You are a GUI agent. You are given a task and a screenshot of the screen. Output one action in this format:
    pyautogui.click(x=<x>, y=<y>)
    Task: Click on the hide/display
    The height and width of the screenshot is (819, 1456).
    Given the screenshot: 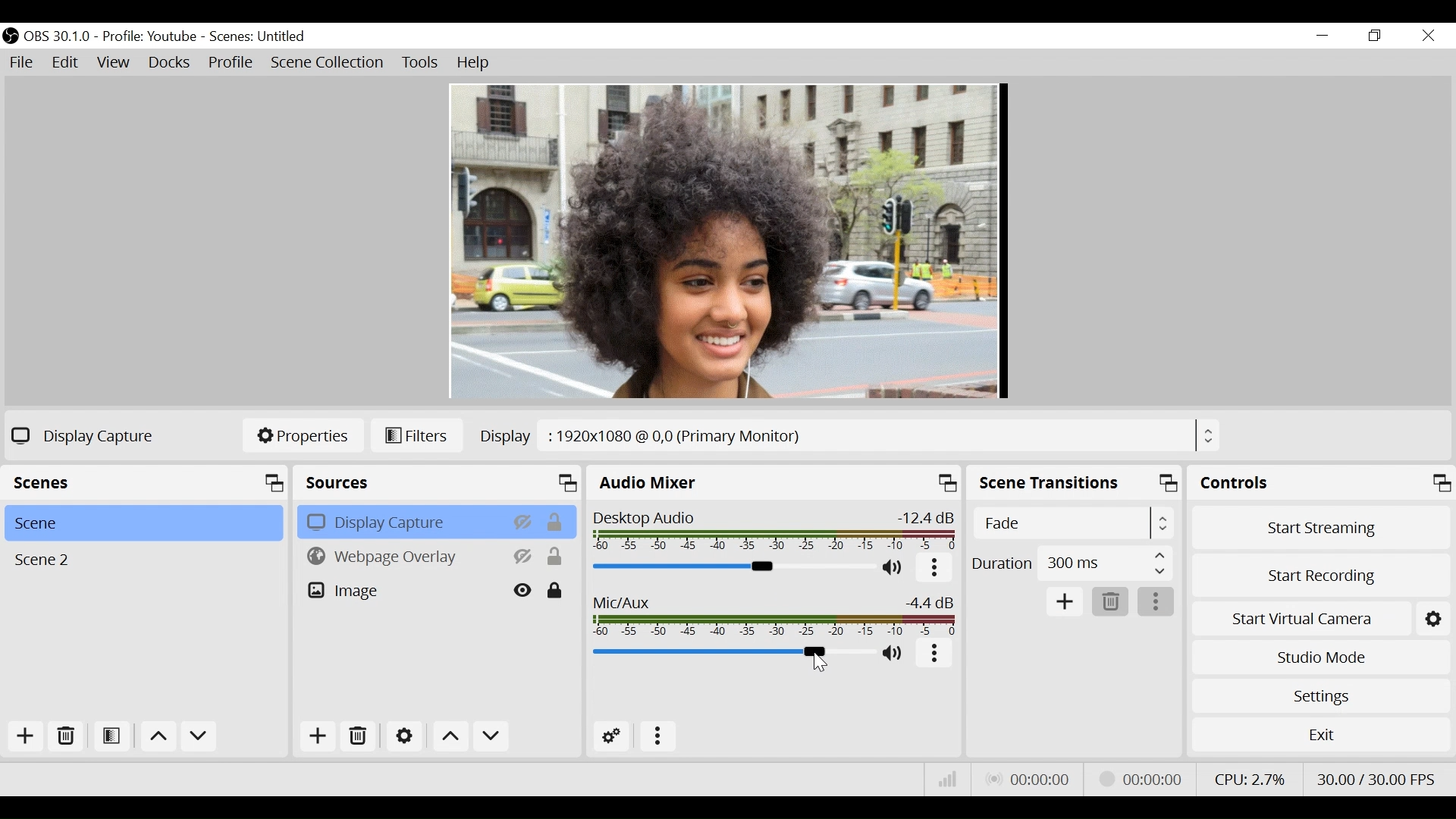 What is the action you would take?
    pyautogui.click(x=525, y=521)
    